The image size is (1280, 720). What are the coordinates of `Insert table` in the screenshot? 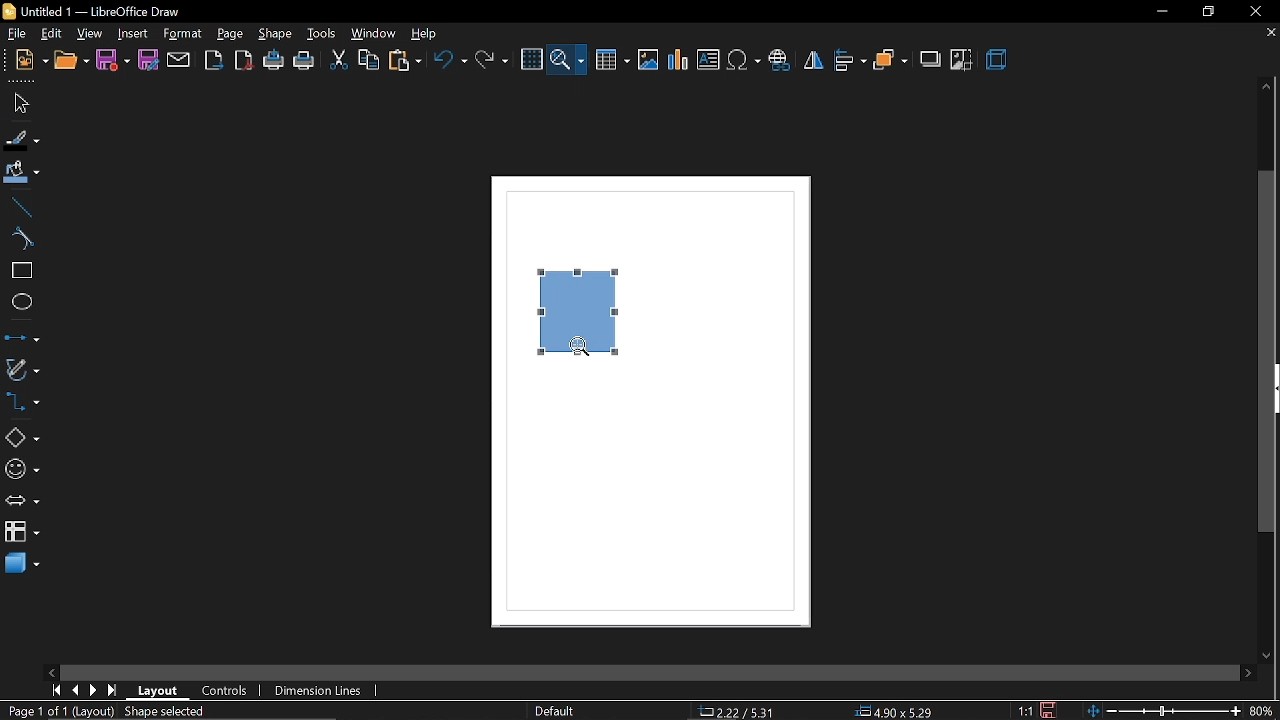 It's located at (610, 61).